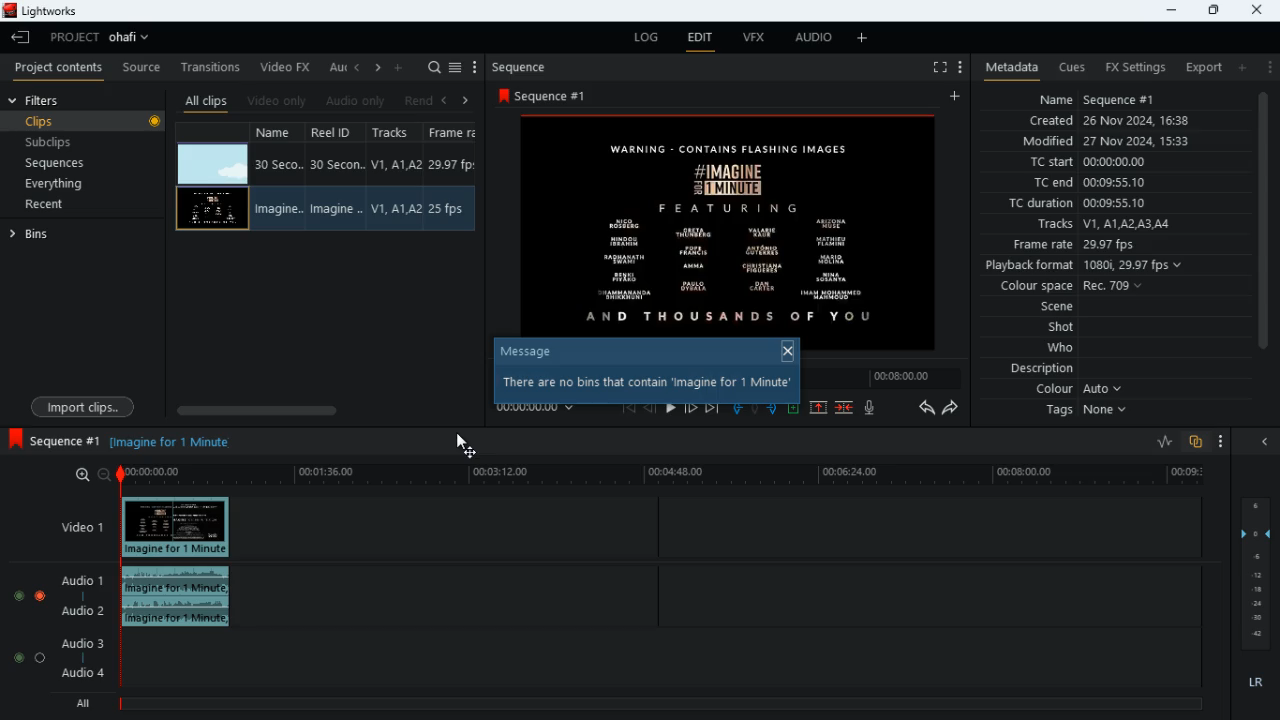 This screenshot has height=720, width=1280. I want to click on scroll, so click(318, 408).